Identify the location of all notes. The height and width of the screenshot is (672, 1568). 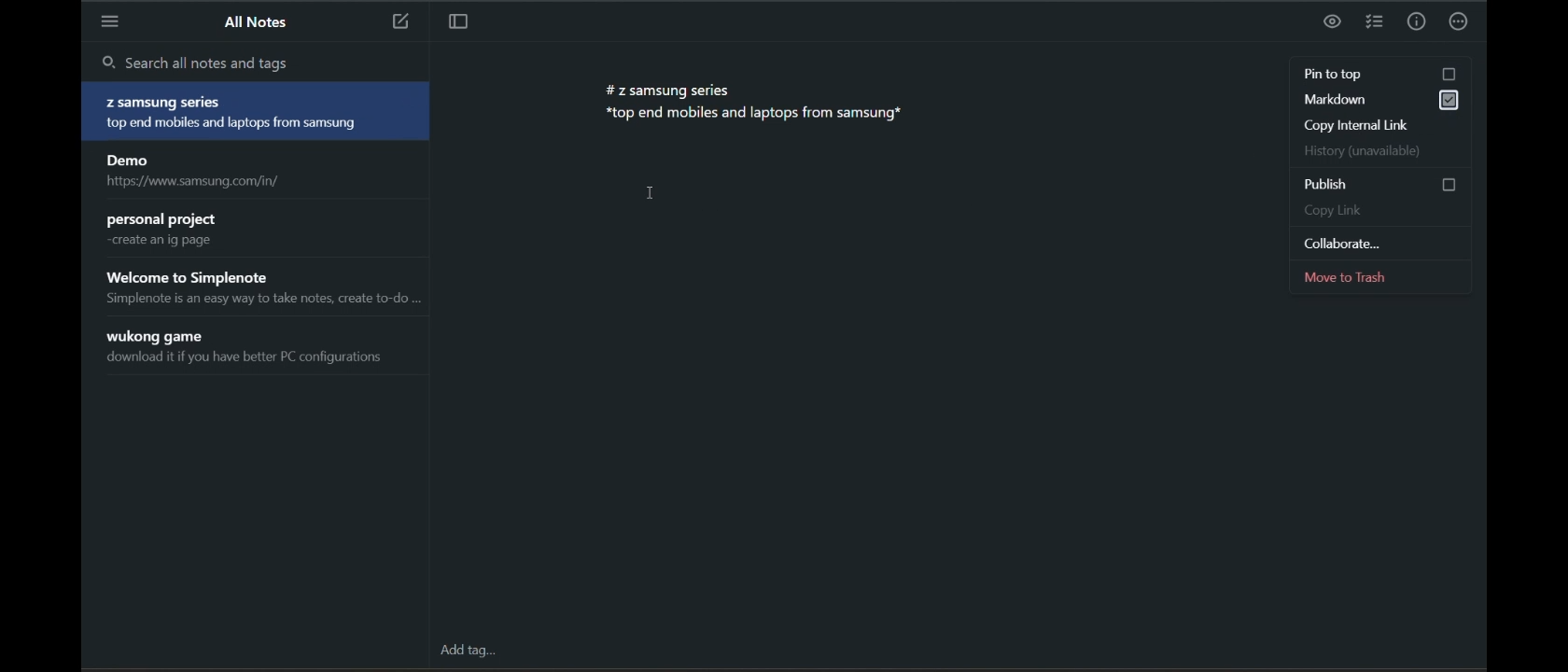
(260, 24).